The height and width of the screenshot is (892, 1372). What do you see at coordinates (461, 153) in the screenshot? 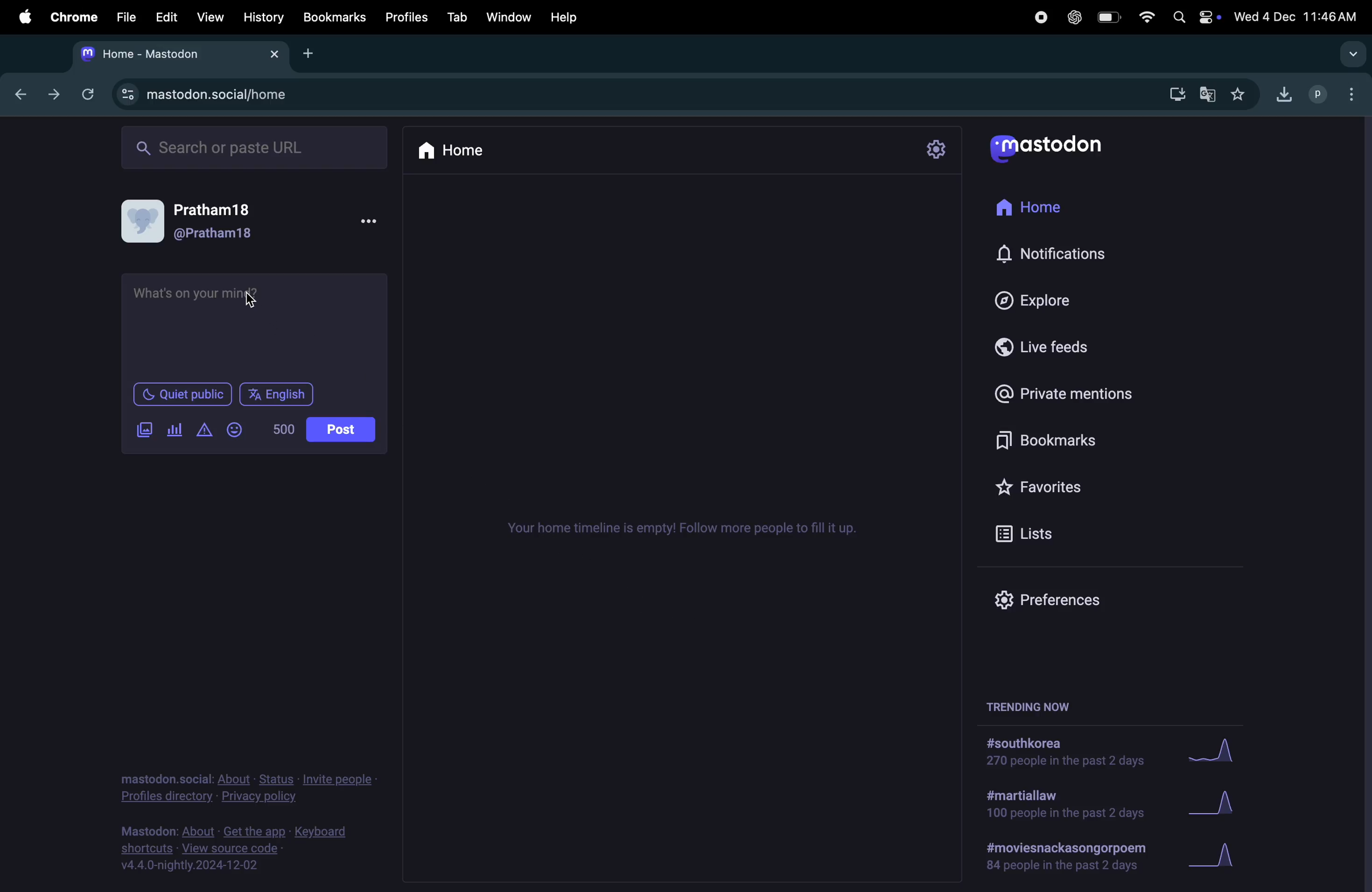
I see `Home` at bounding box center [461, 153].